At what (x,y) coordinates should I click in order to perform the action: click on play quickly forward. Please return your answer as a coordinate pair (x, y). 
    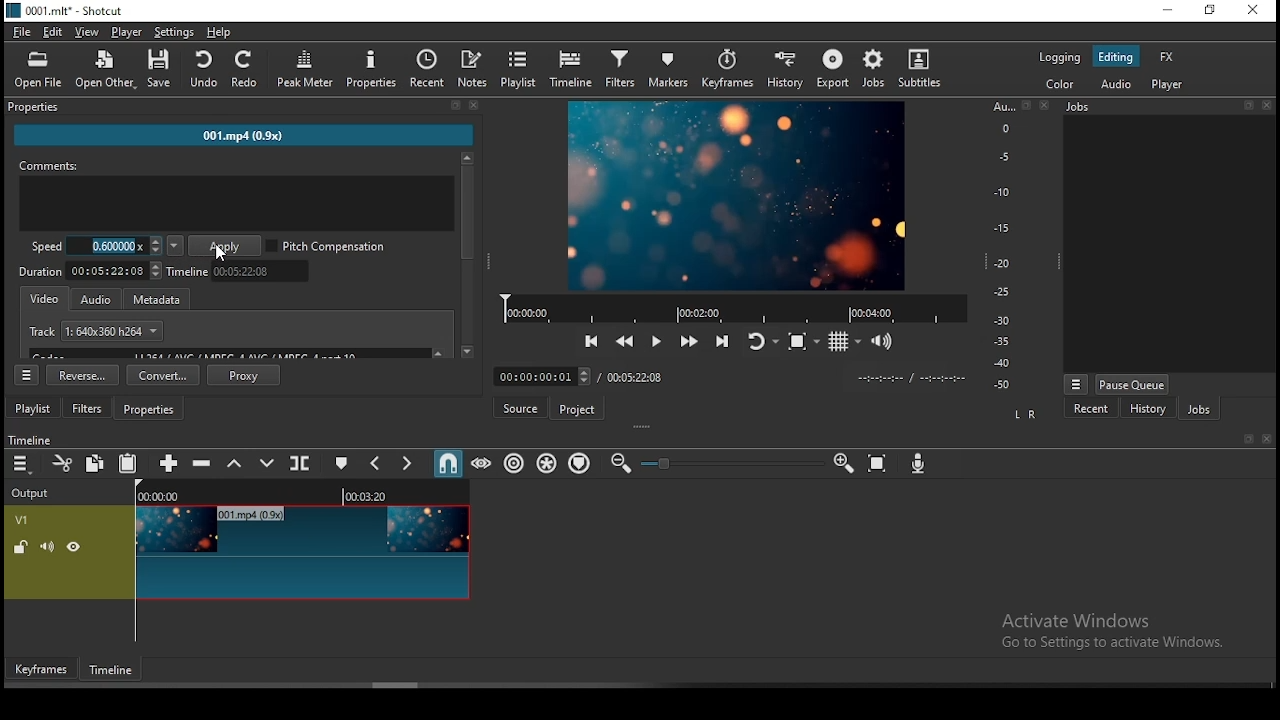
    Looking at the image, I should click on (691, 341).